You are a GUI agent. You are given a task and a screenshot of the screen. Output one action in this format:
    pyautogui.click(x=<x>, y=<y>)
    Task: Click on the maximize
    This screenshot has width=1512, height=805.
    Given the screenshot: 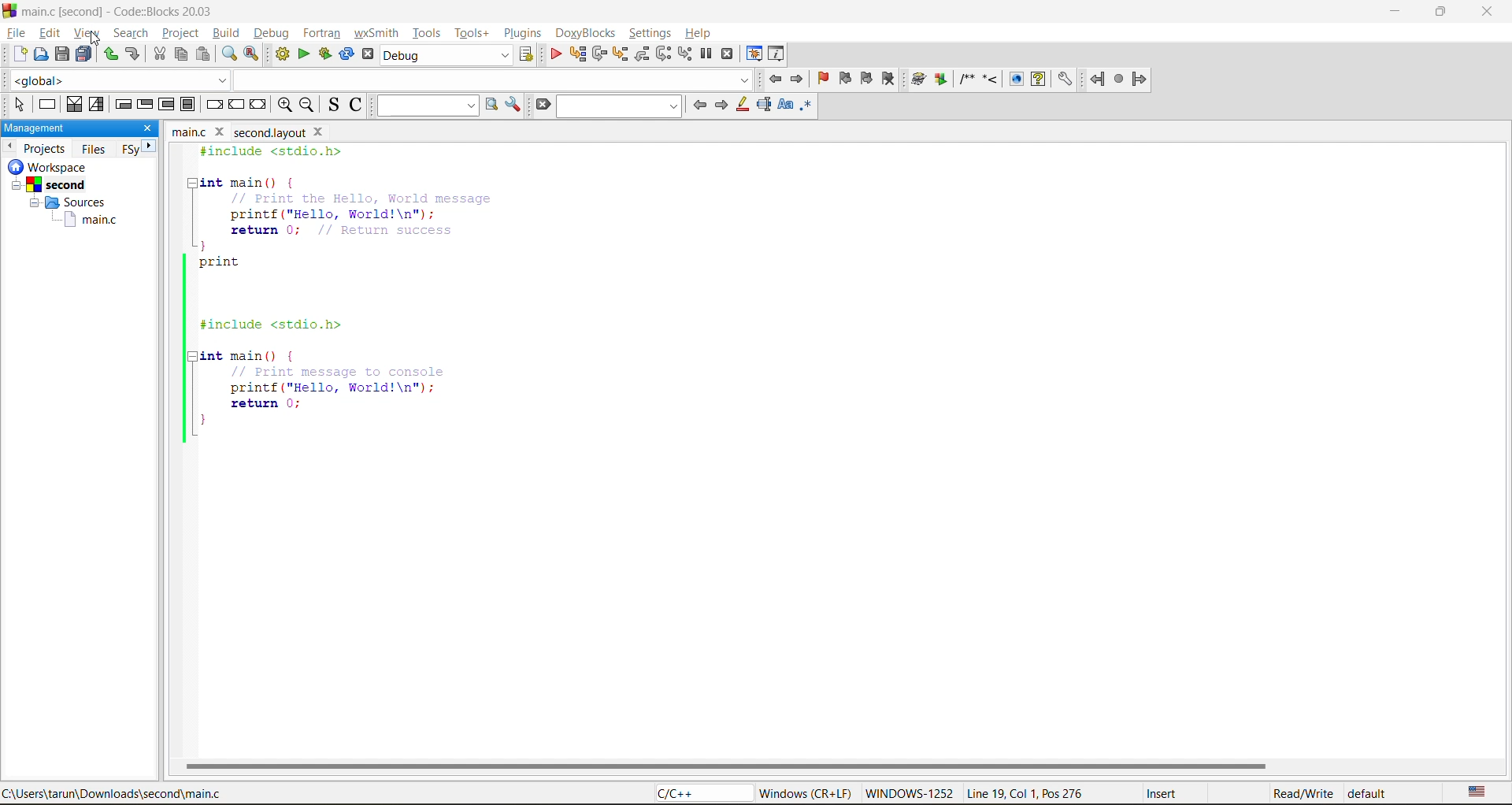 What is the action you would take?
    pyautogui.click(x=1440, y=13)
    